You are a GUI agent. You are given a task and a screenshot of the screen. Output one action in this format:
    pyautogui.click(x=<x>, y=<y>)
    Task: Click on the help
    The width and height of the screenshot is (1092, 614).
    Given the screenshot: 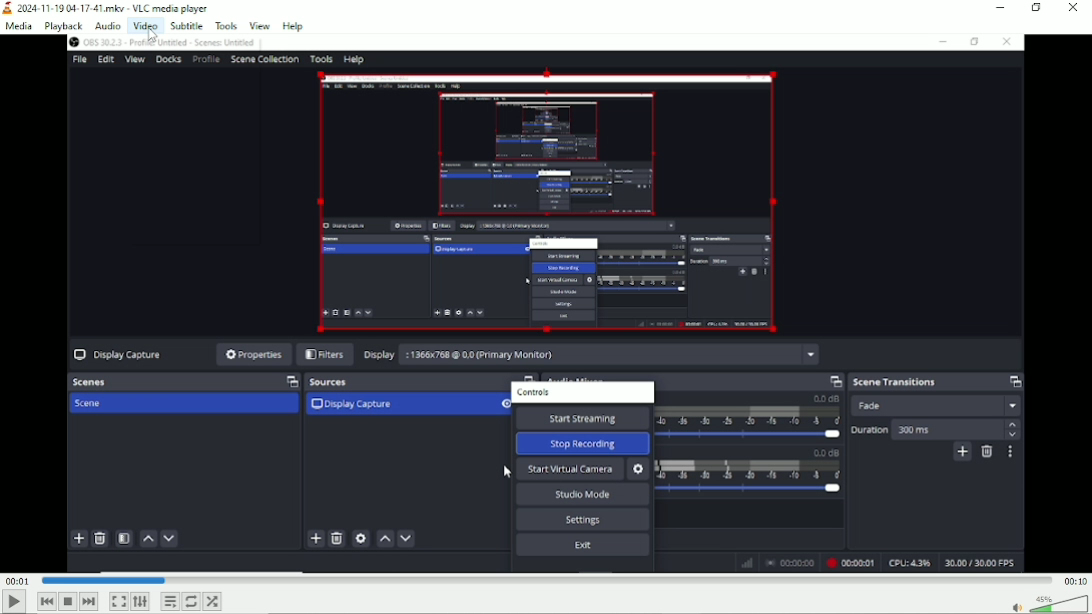 What is the action you would take?
    pyautogui.click(x=292, y=26)
    